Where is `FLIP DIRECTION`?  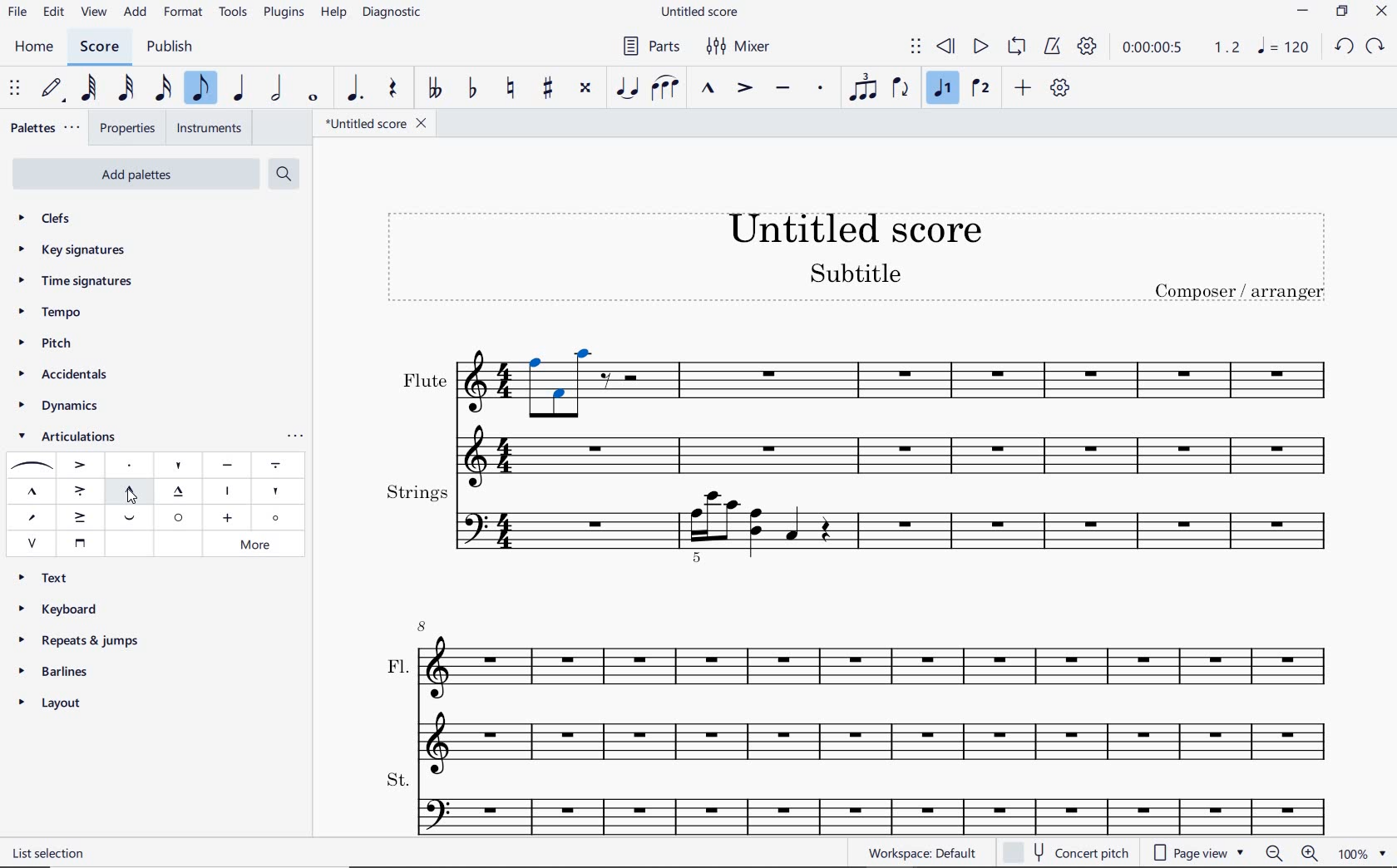 FLIP DIRECTION is located at coordinates (900, 89).